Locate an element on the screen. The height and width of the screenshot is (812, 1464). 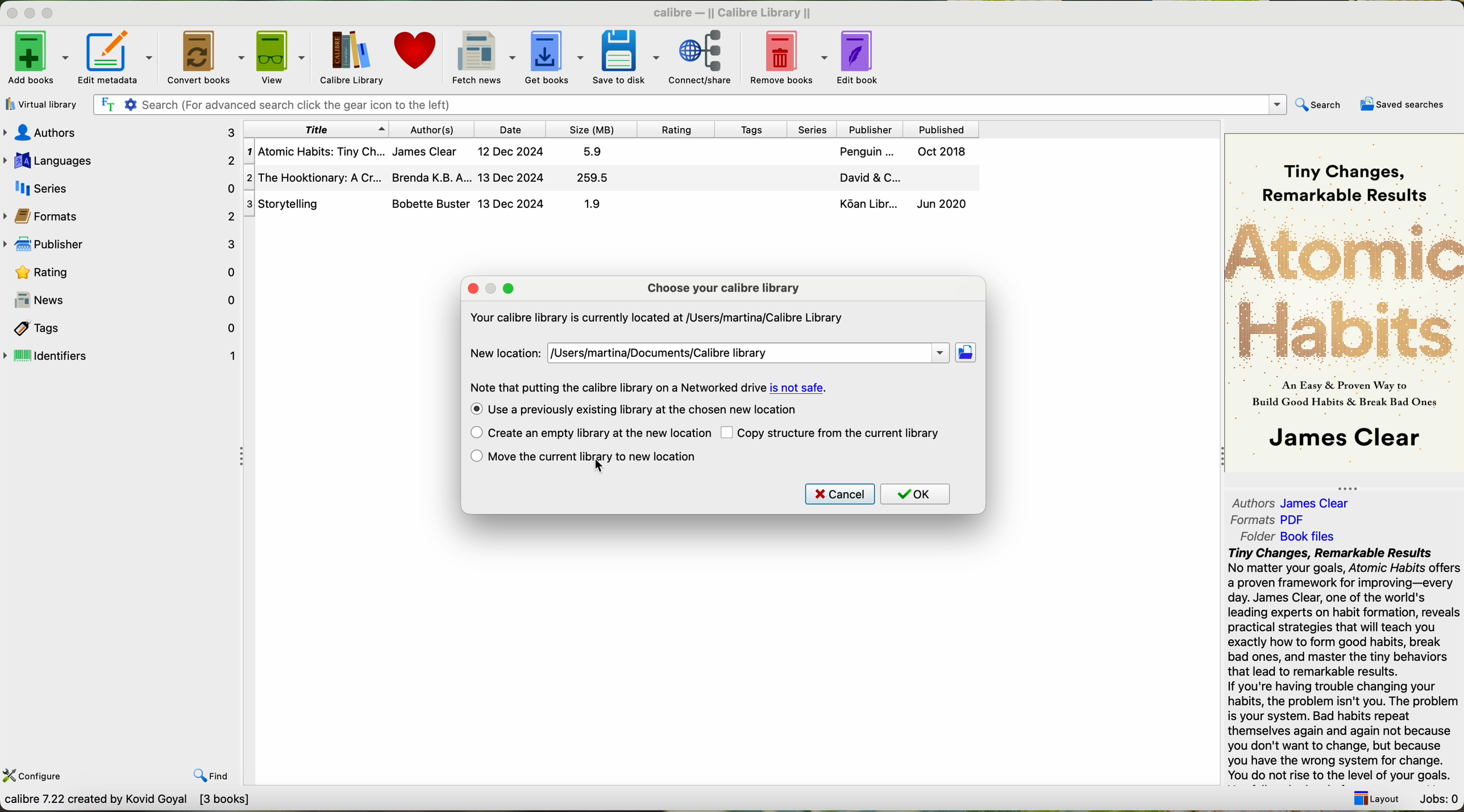
curso is located at coordinates (601, 467).